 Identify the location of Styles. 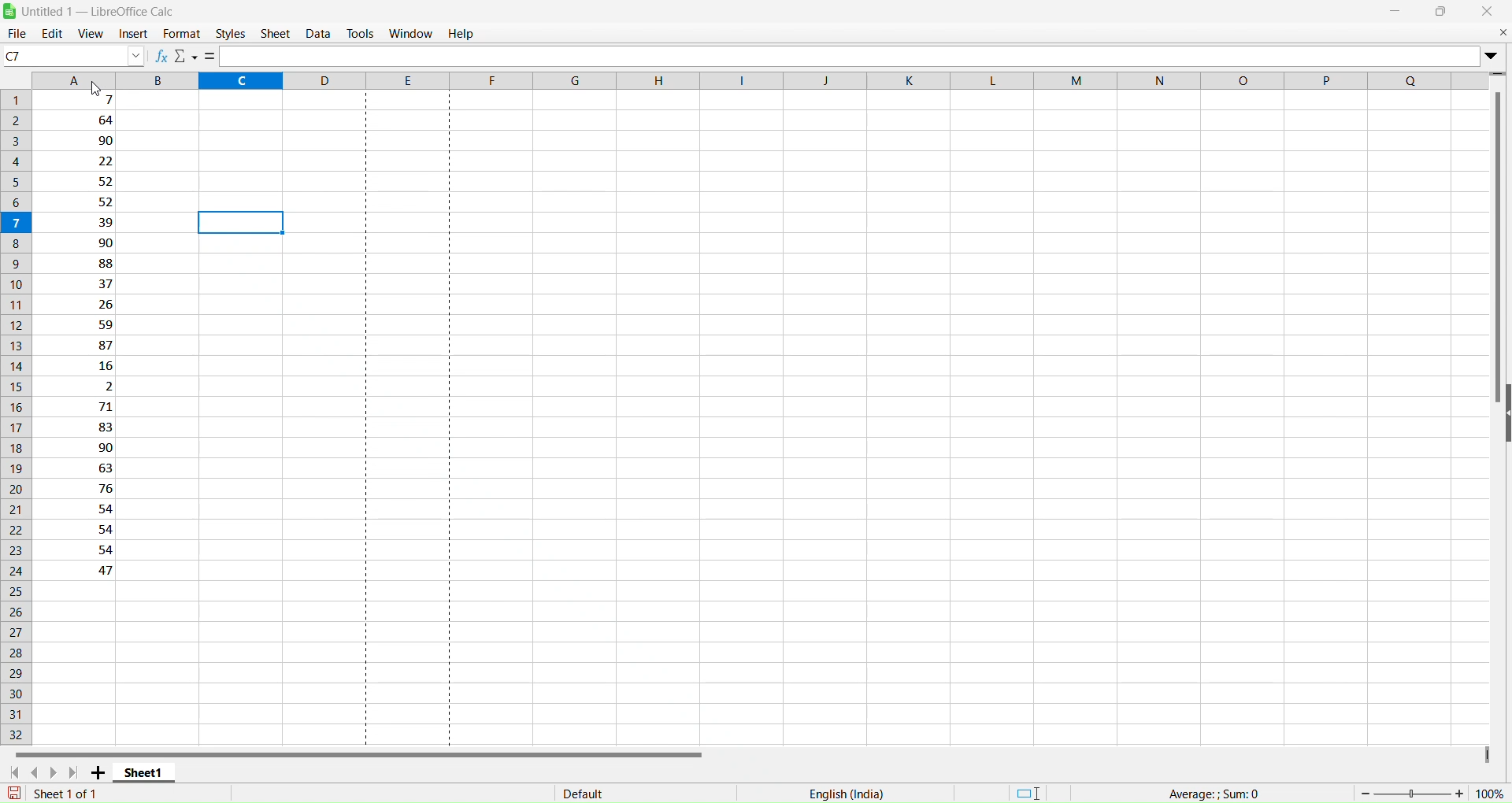
(231, 34).